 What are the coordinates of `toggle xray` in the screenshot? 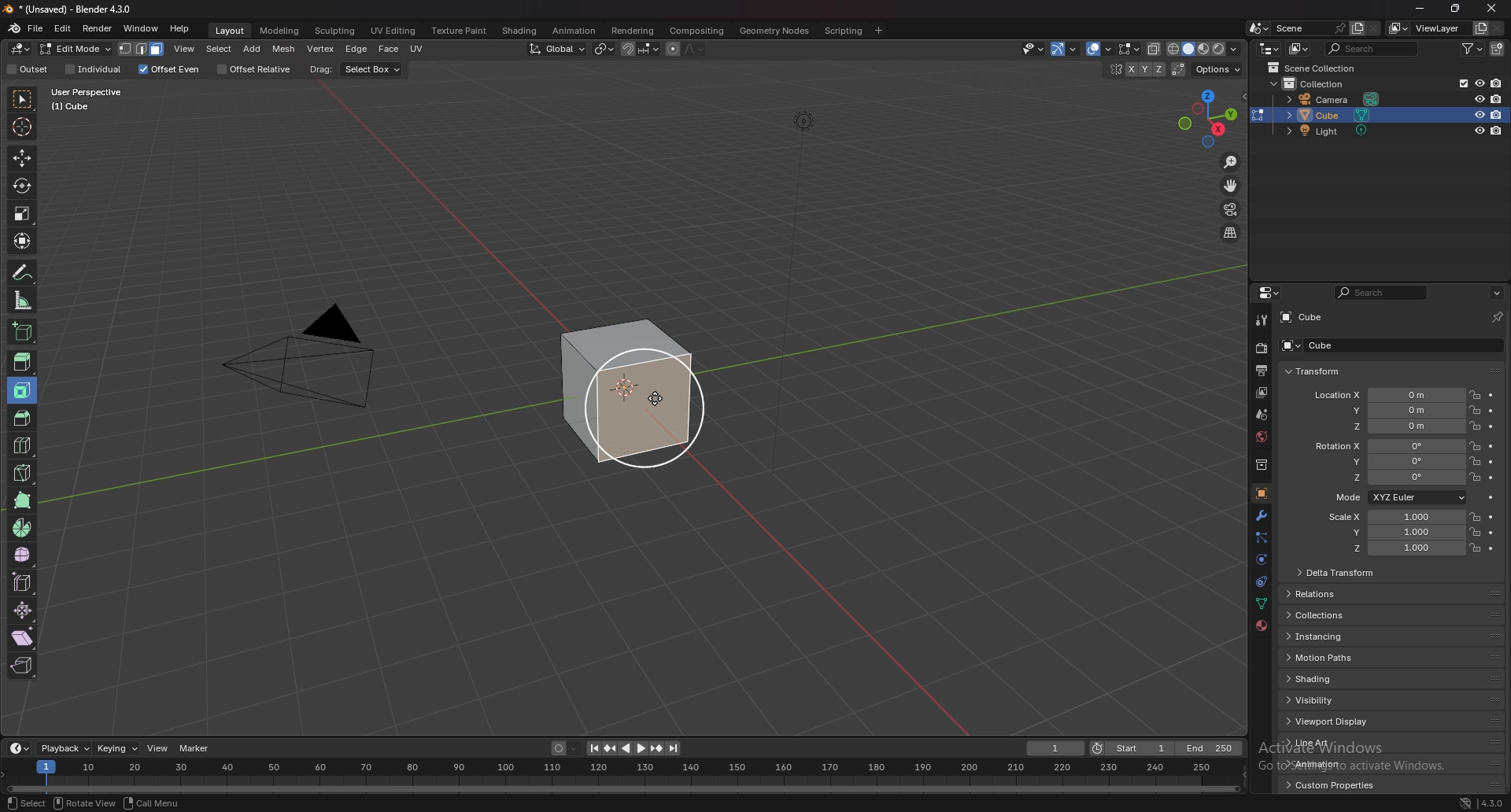 It's located at (1155, 50).